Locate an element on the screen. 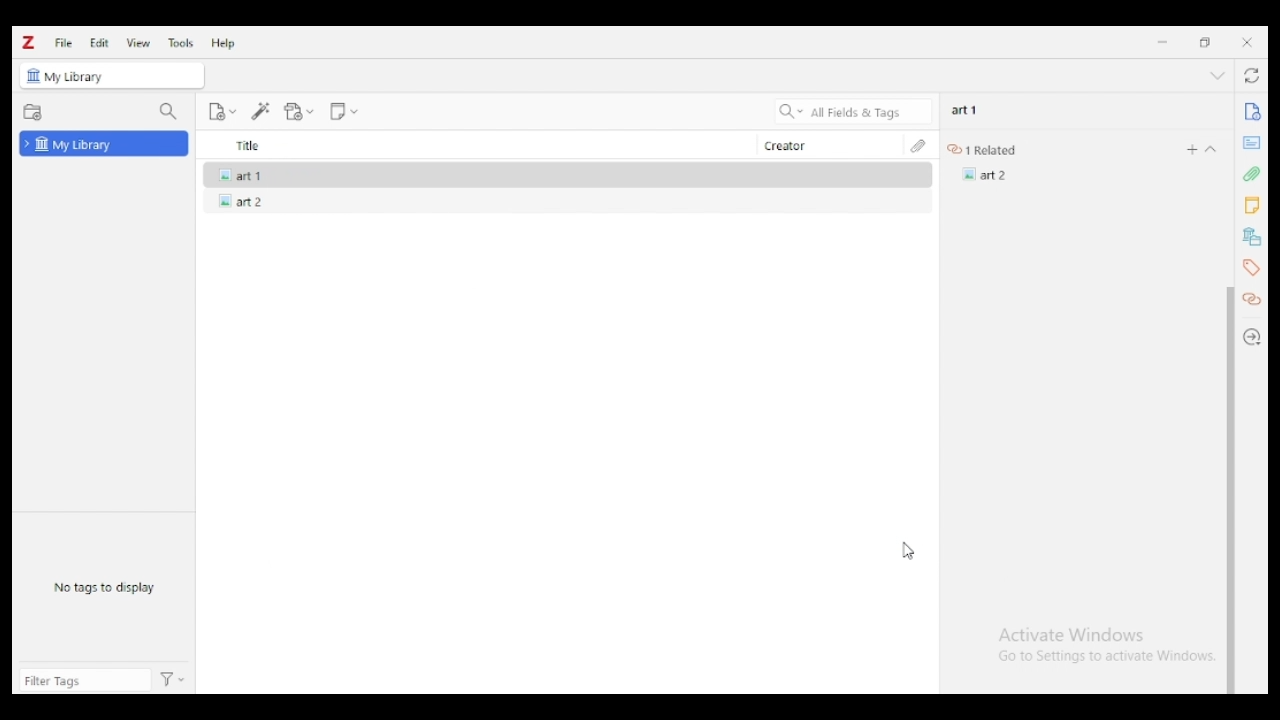  actions is located at coordinates (173, 681).